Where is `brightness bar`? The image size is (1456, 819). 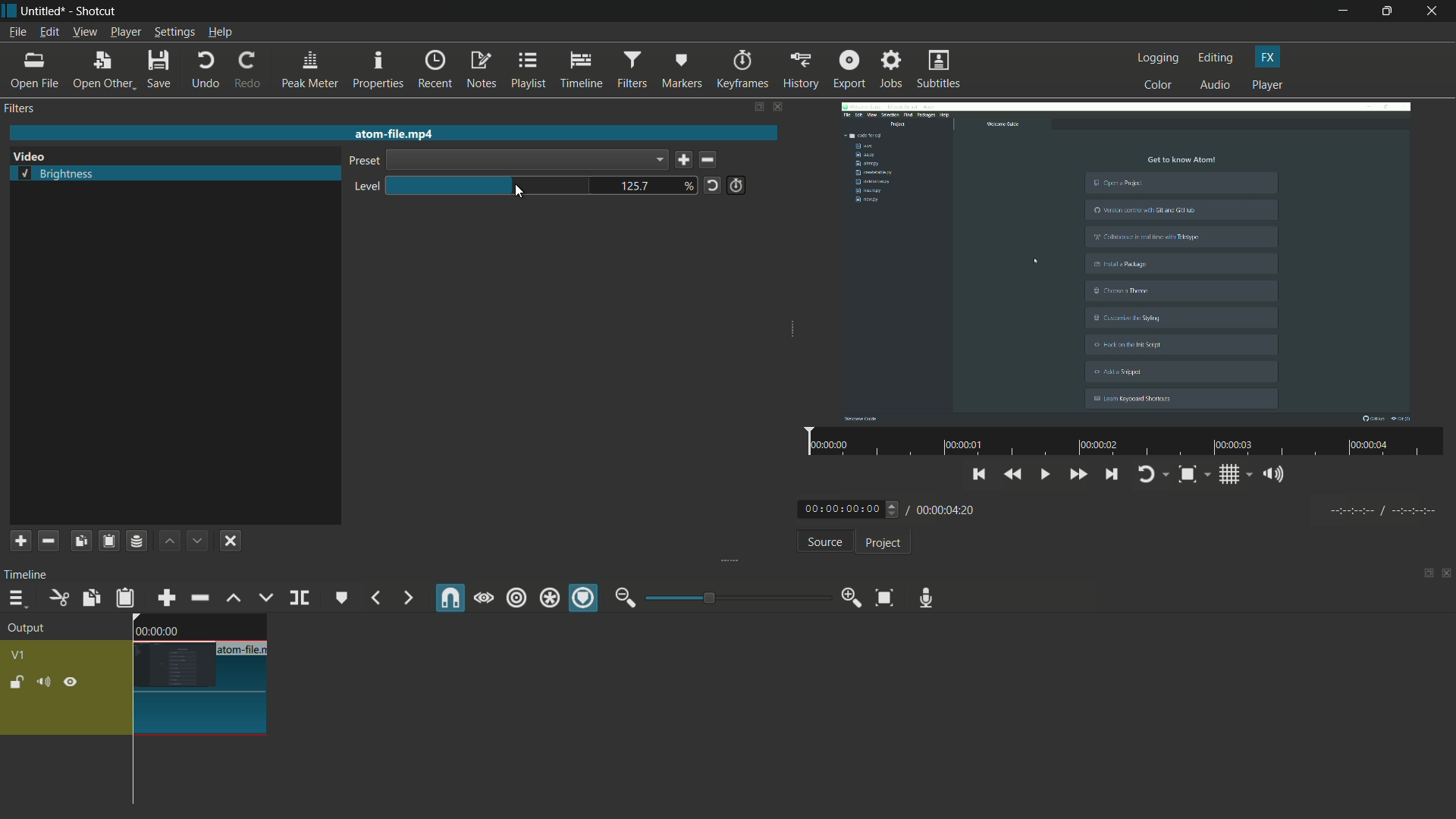
brightness bar is located at coordinates (490, 185).